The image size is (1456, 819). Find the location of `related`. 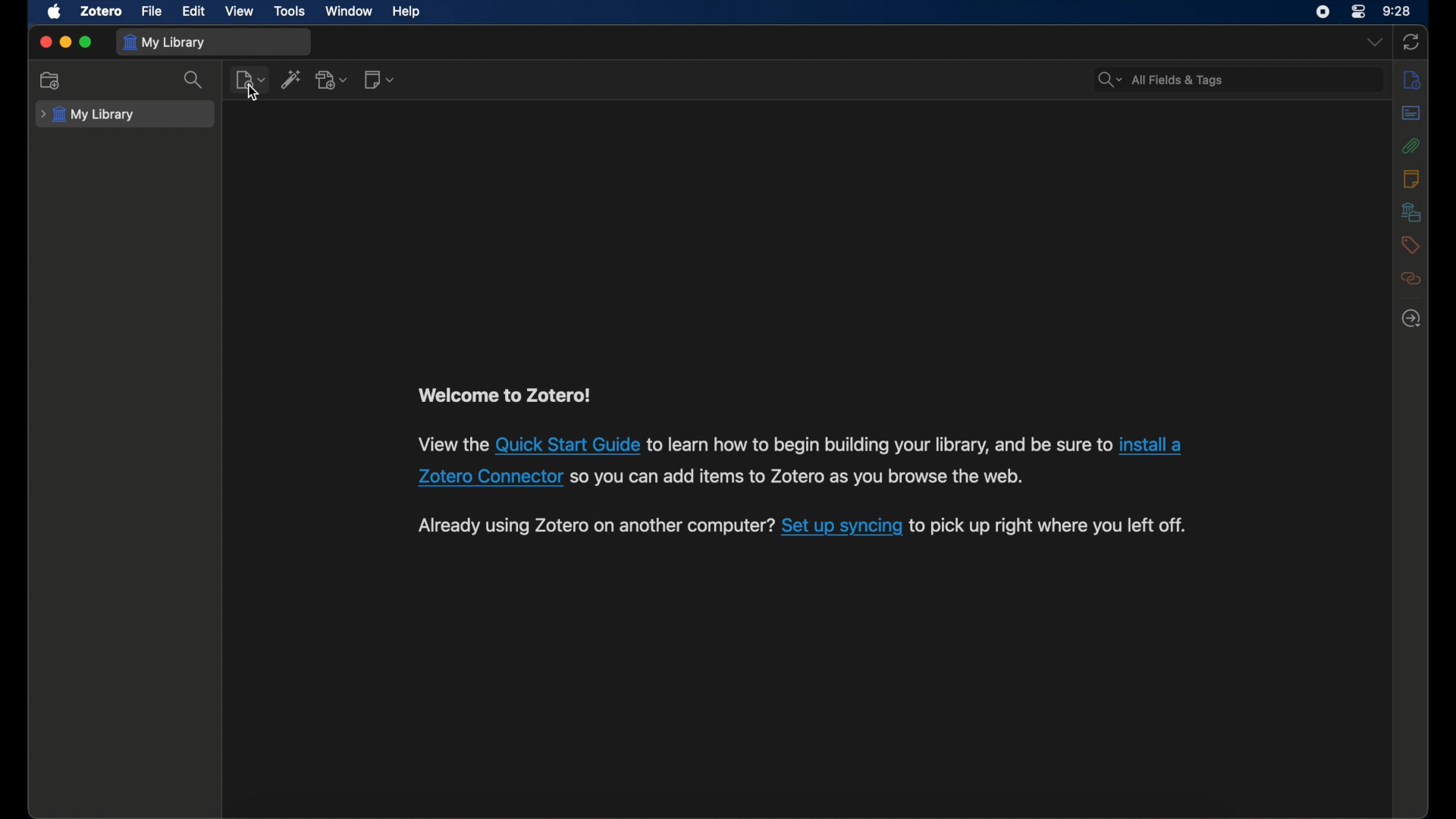

related is located at coordinates (1410, 278).